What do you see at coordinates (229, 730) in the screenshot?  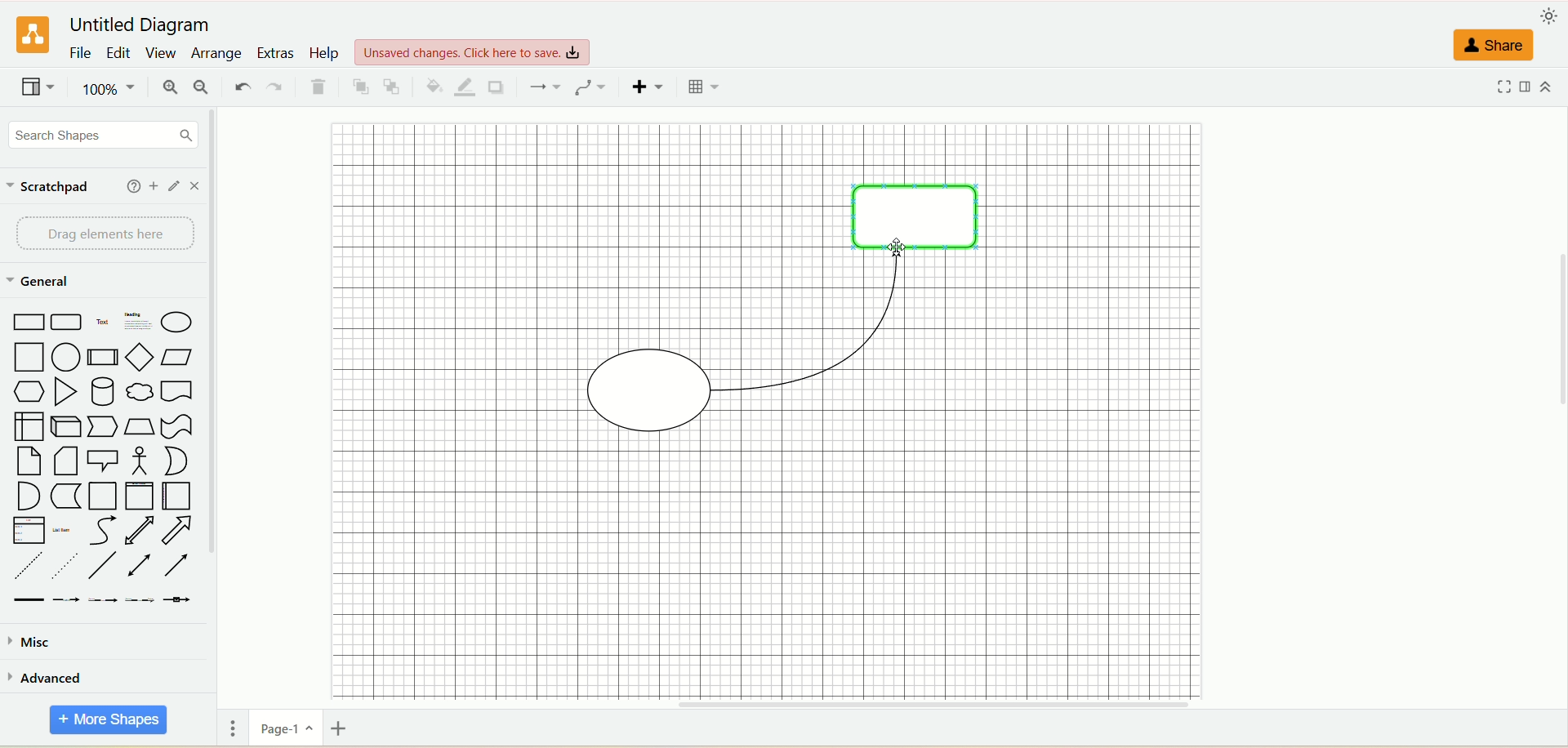 I see `pages` at bounding box center [229, 730].